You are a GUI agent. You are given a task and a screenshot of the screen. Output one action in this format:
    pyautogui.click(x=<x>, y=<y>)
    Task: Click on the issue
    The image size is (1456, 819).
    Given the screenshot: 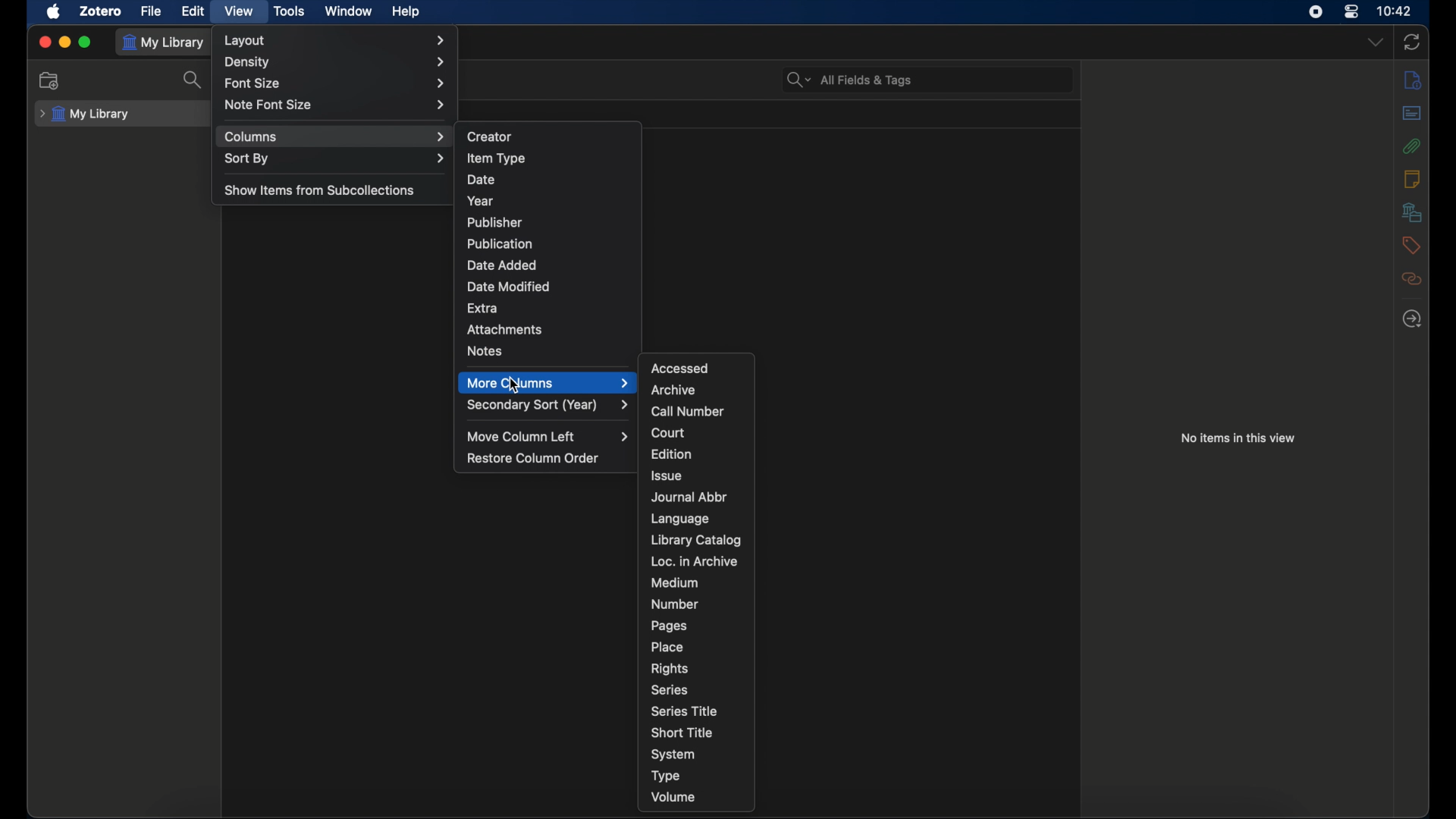 What is the action you would take?
    pyautogui.click(x=667, y=476)
    